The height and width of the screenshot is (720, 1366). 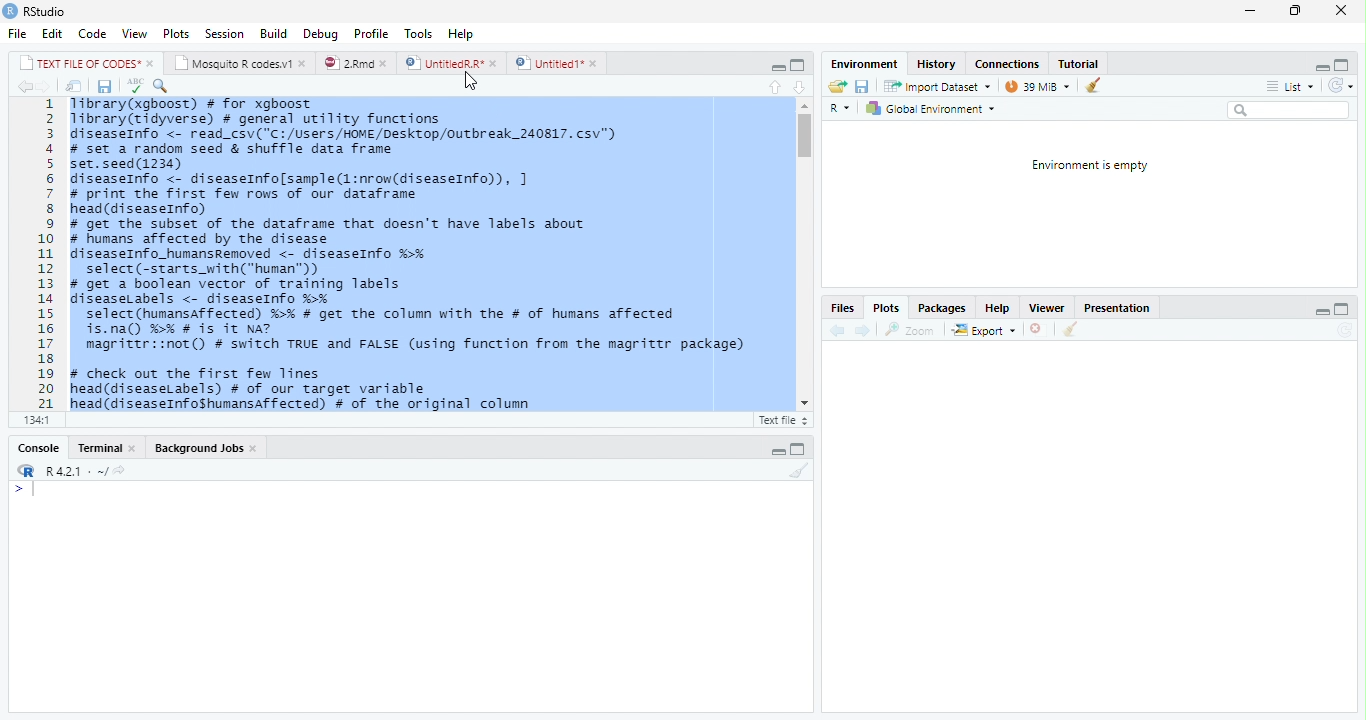 What do you see at coordinates (774, 65) in the screenshot?
I see `Minimize` at bounding box center [774, 65].